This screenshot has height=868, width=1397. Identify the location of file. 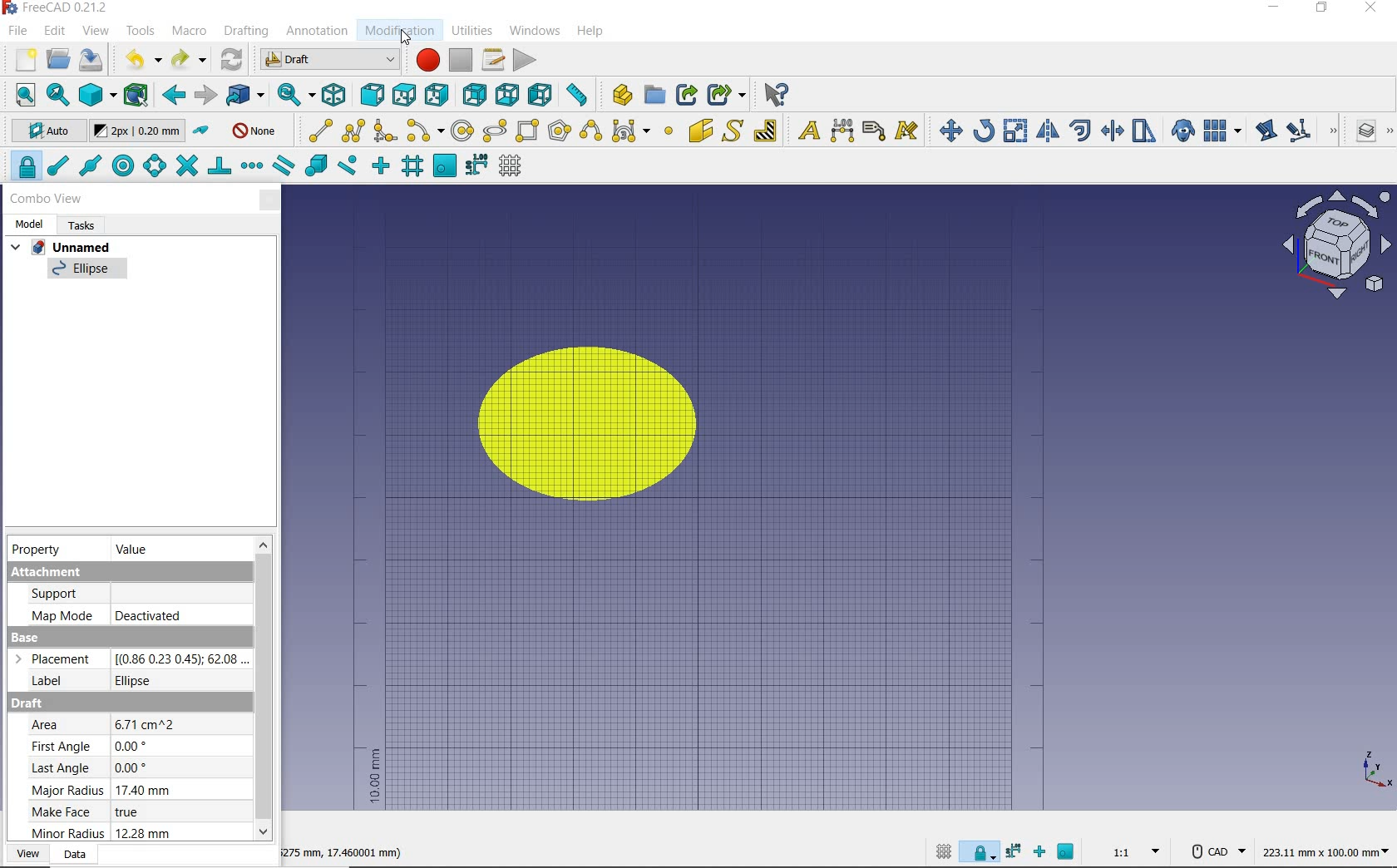
(16, 30).